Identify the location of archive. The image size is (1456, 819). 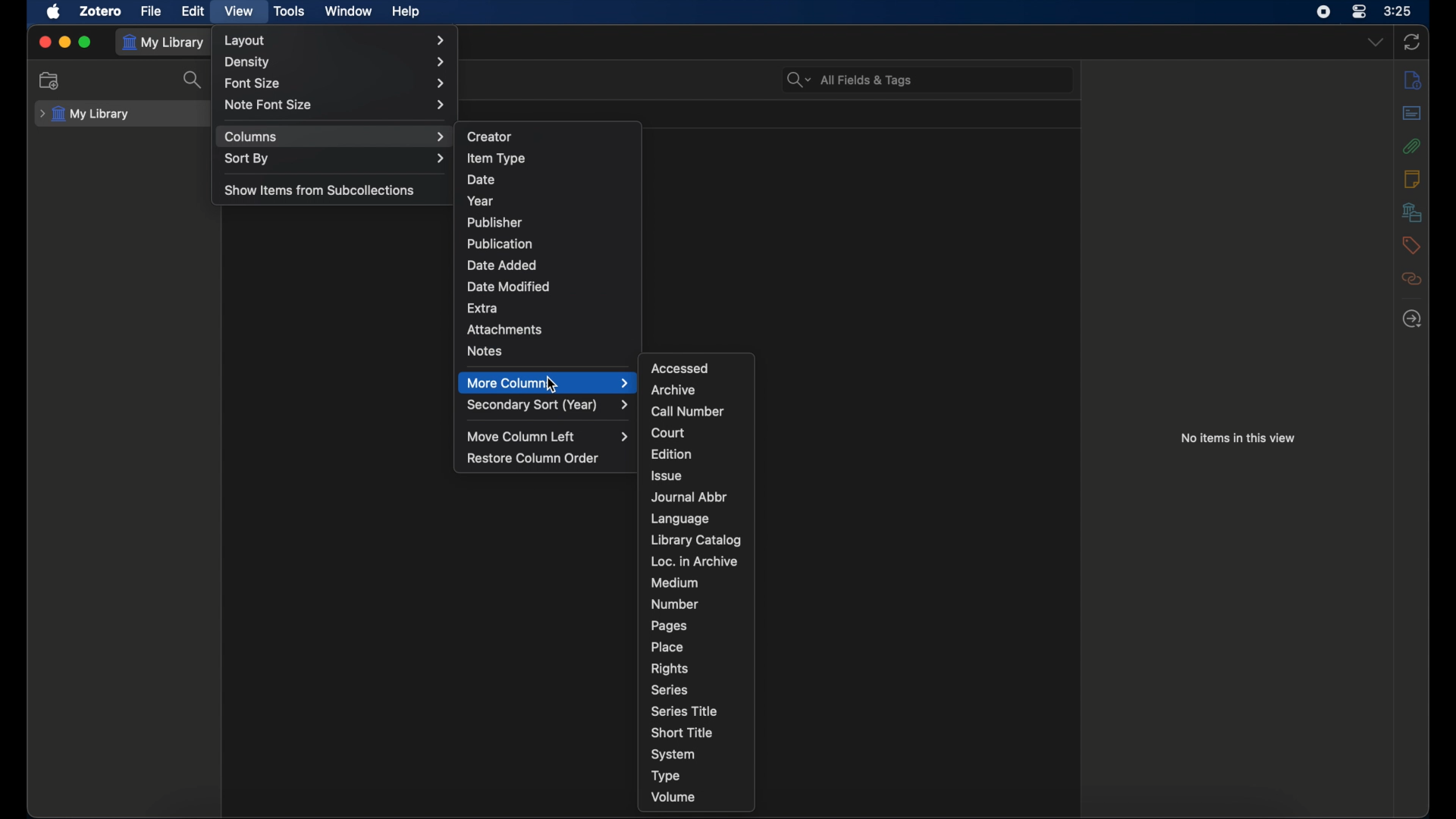
(673, 390).